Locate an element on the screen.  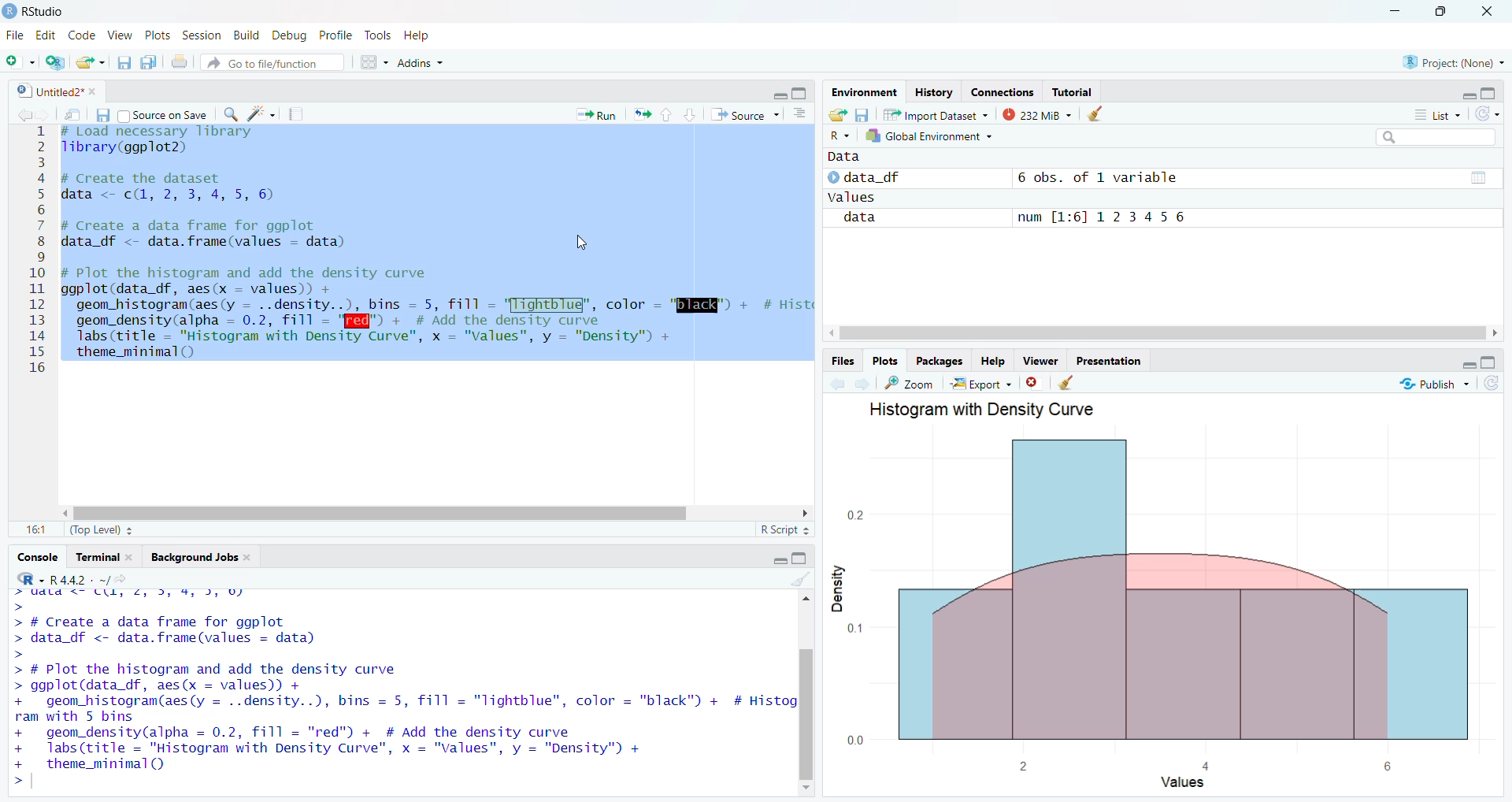
text cursor is located at coordinates (63, 367).